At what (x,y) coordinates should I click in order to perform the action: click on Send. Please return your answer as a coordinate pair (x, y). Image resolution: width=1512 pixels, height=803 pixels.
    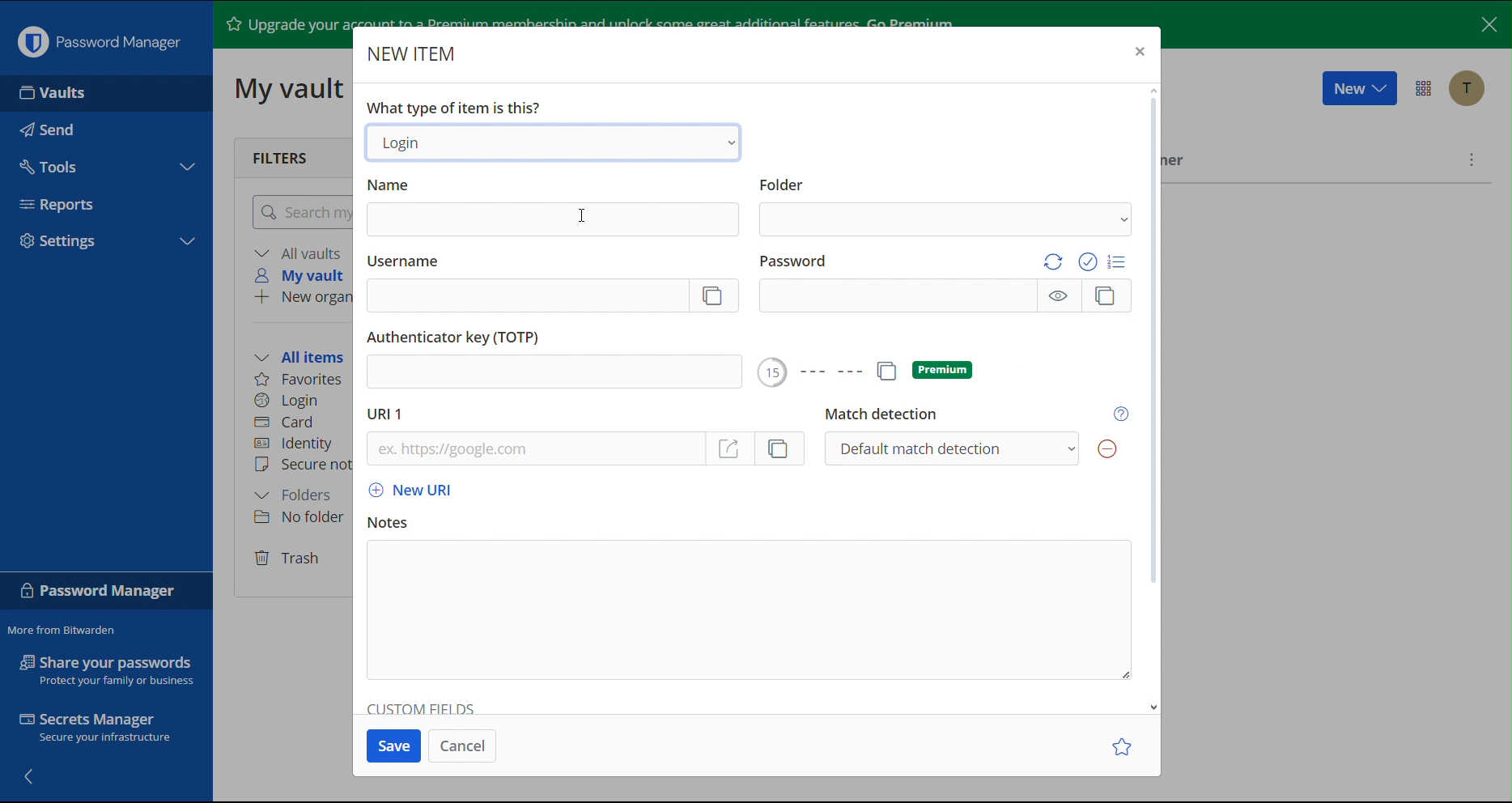
    Looking at the image, I should click on (105, 127).